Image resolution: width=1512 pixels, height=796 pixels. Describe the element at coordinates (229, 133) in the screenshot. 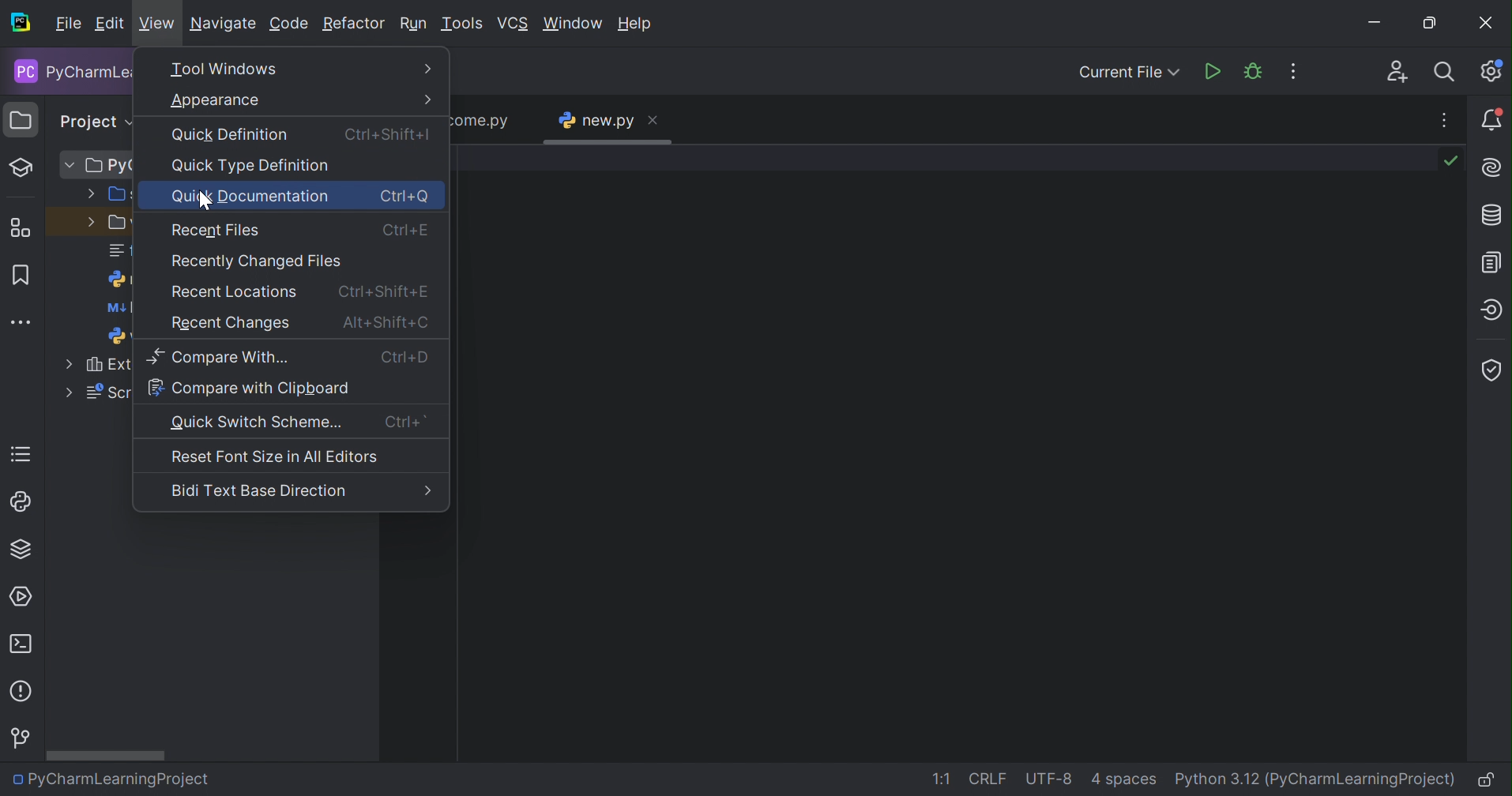

I see `Quick Definition` at that location.